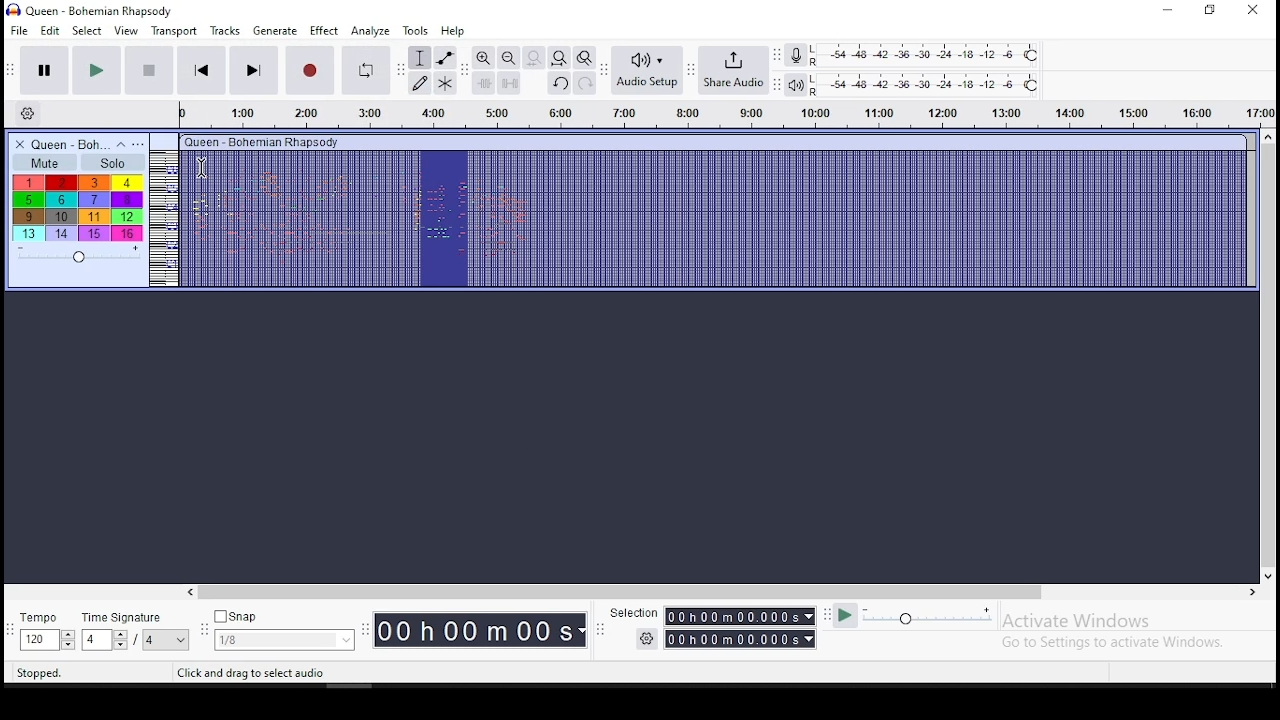  What do you see at coordinates (646, 639) in the screenshot?
I see `settings` at bounding box center [646, 639].